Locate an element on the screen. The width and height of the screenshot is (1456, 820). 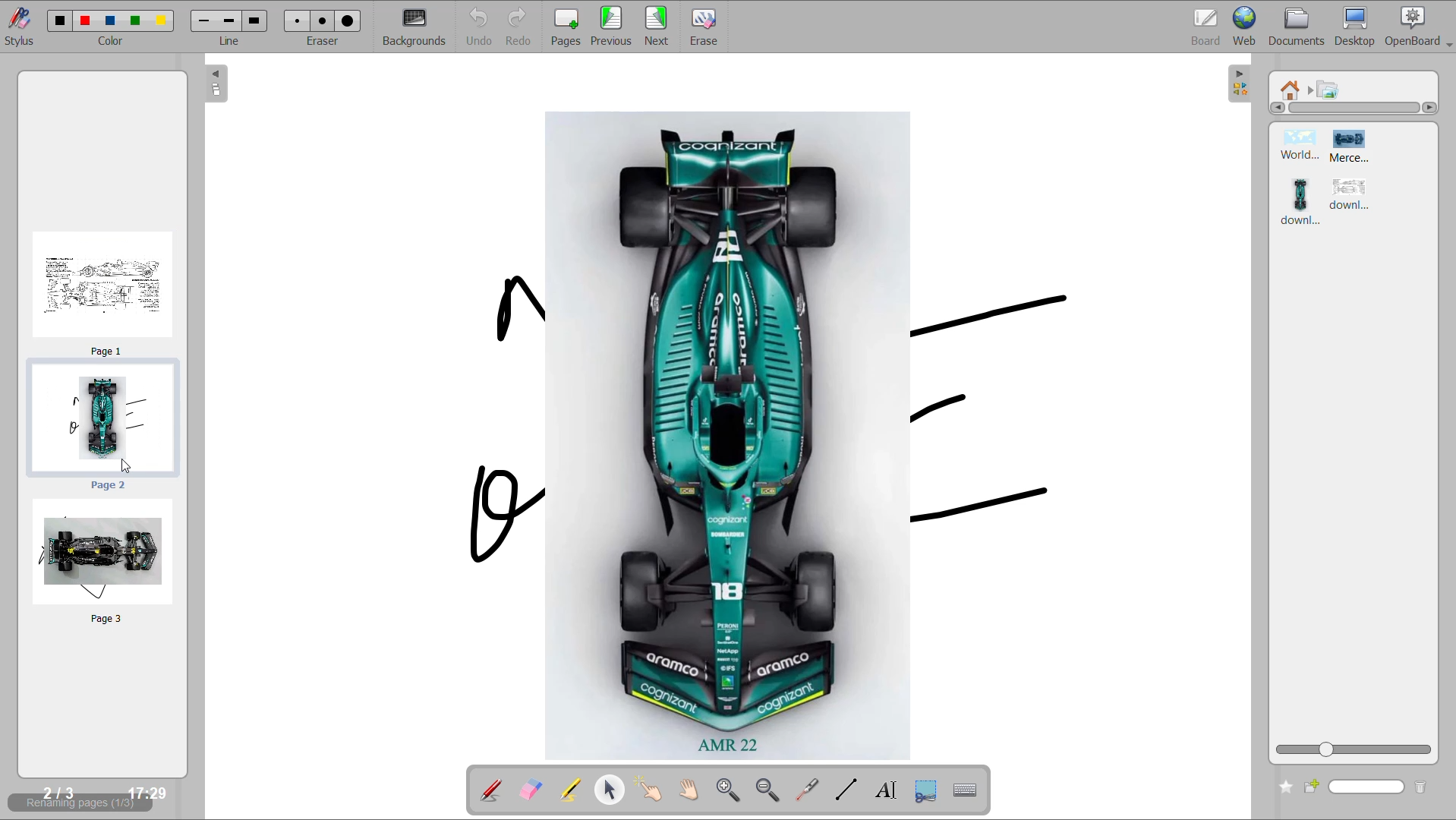
draw lines is located at coordinates (846, 789).